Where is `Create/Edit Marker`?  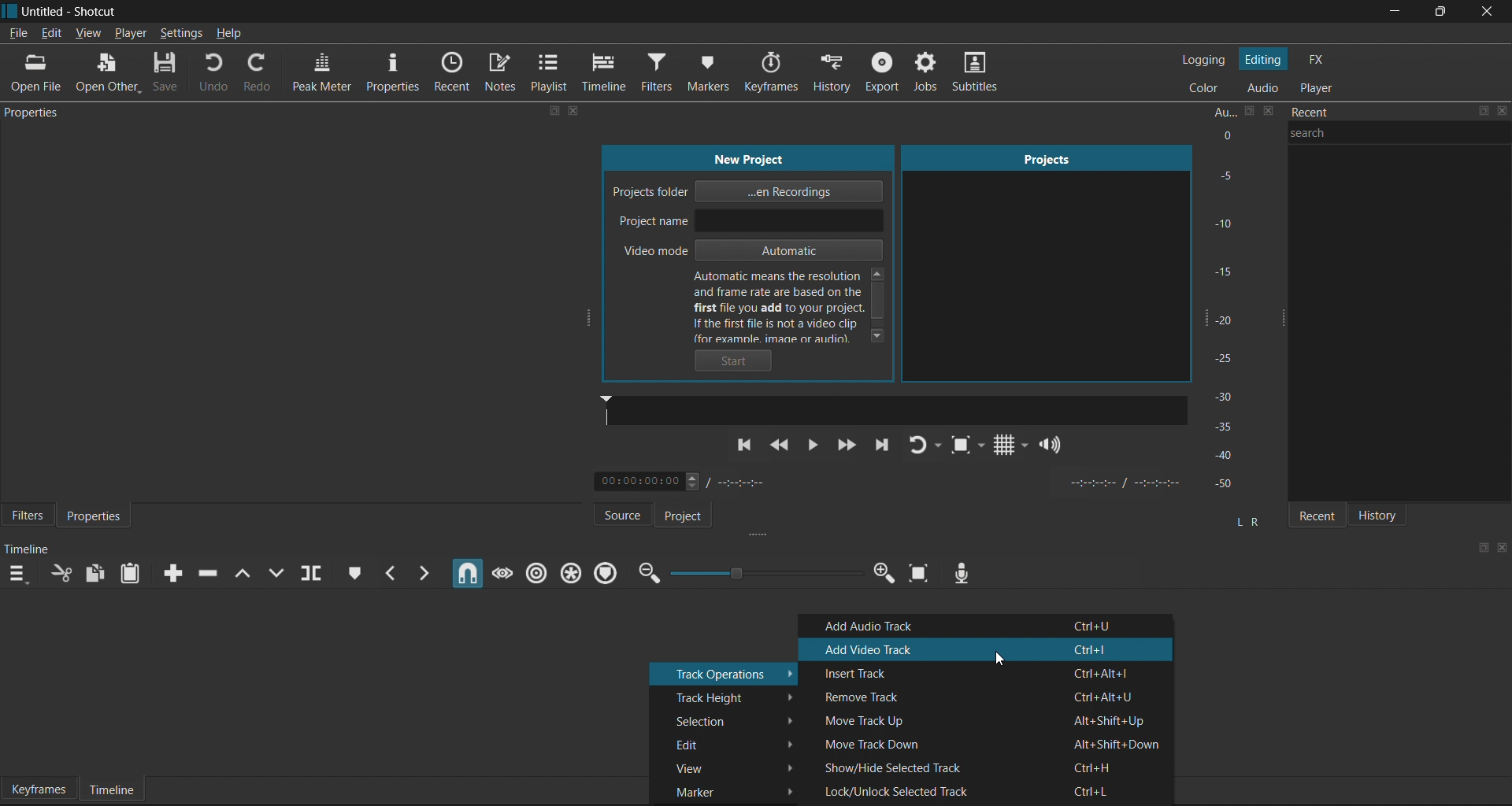
Create/Edit Marker is located at coordinates (350, 571).